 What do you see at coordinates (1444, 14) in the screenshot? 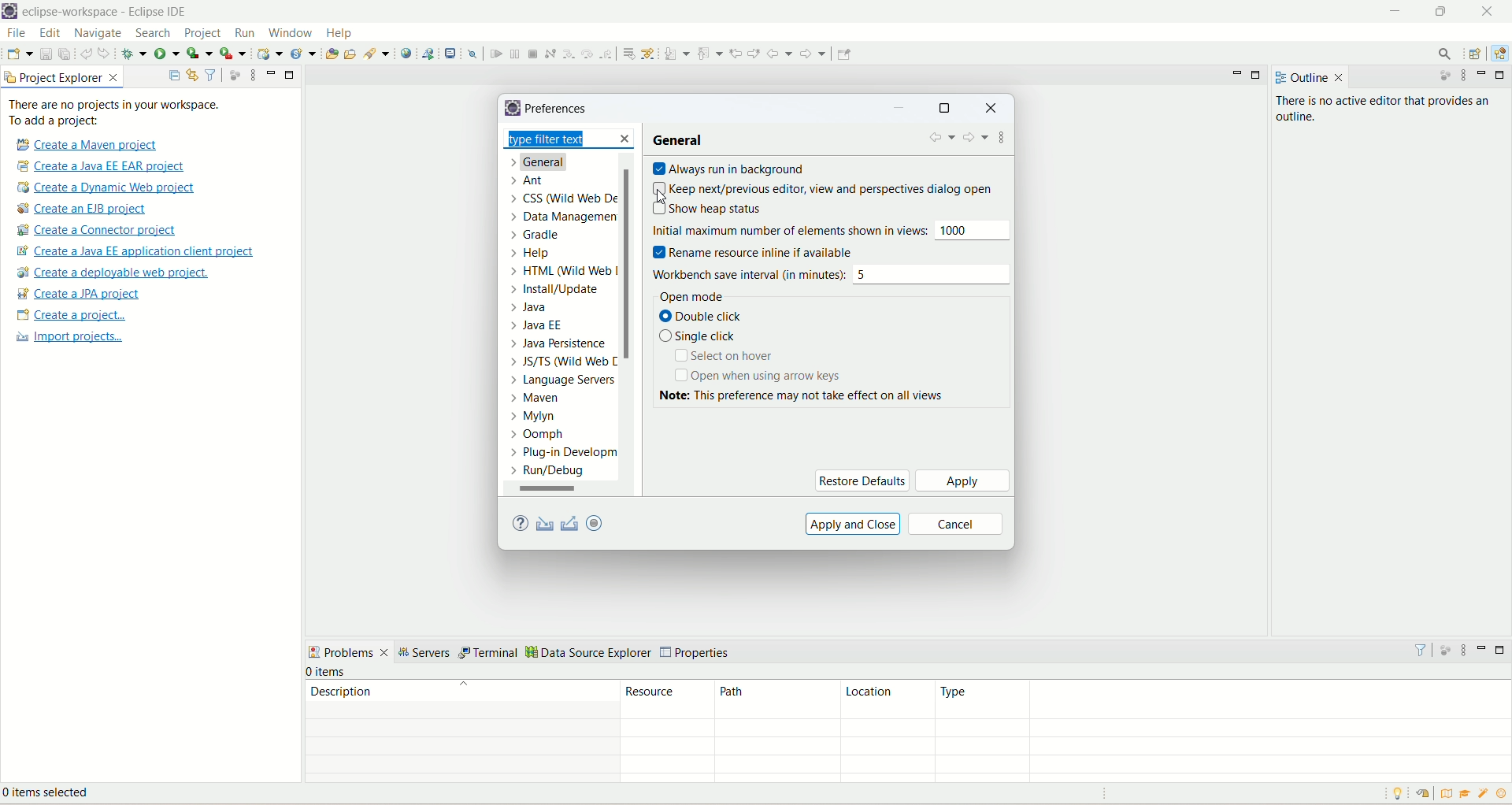
I see `maximize` at bounding box center [1444, 14].